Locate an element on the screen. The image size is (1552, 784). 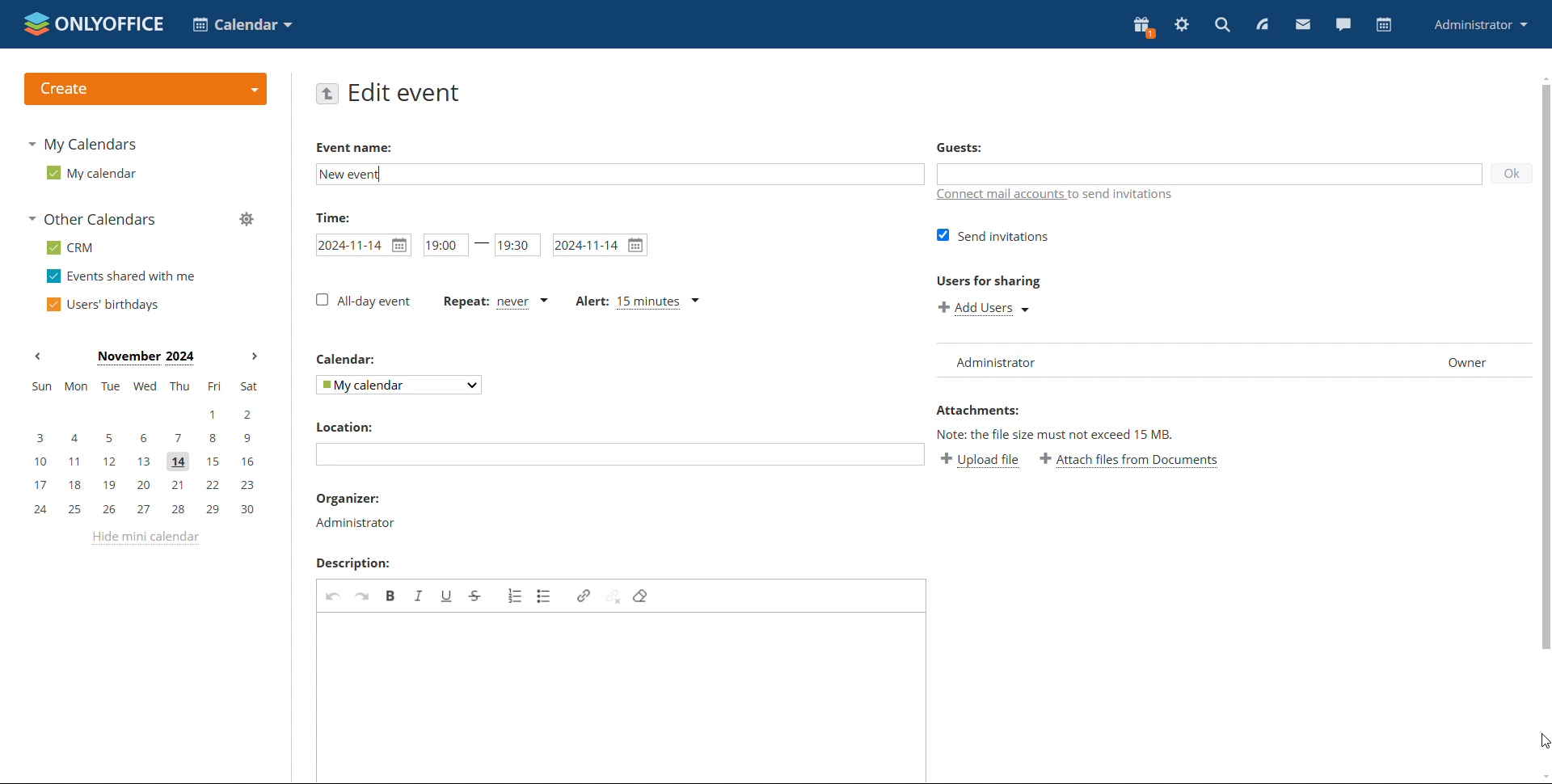
scroll up is located at coordinates (1542, 78).